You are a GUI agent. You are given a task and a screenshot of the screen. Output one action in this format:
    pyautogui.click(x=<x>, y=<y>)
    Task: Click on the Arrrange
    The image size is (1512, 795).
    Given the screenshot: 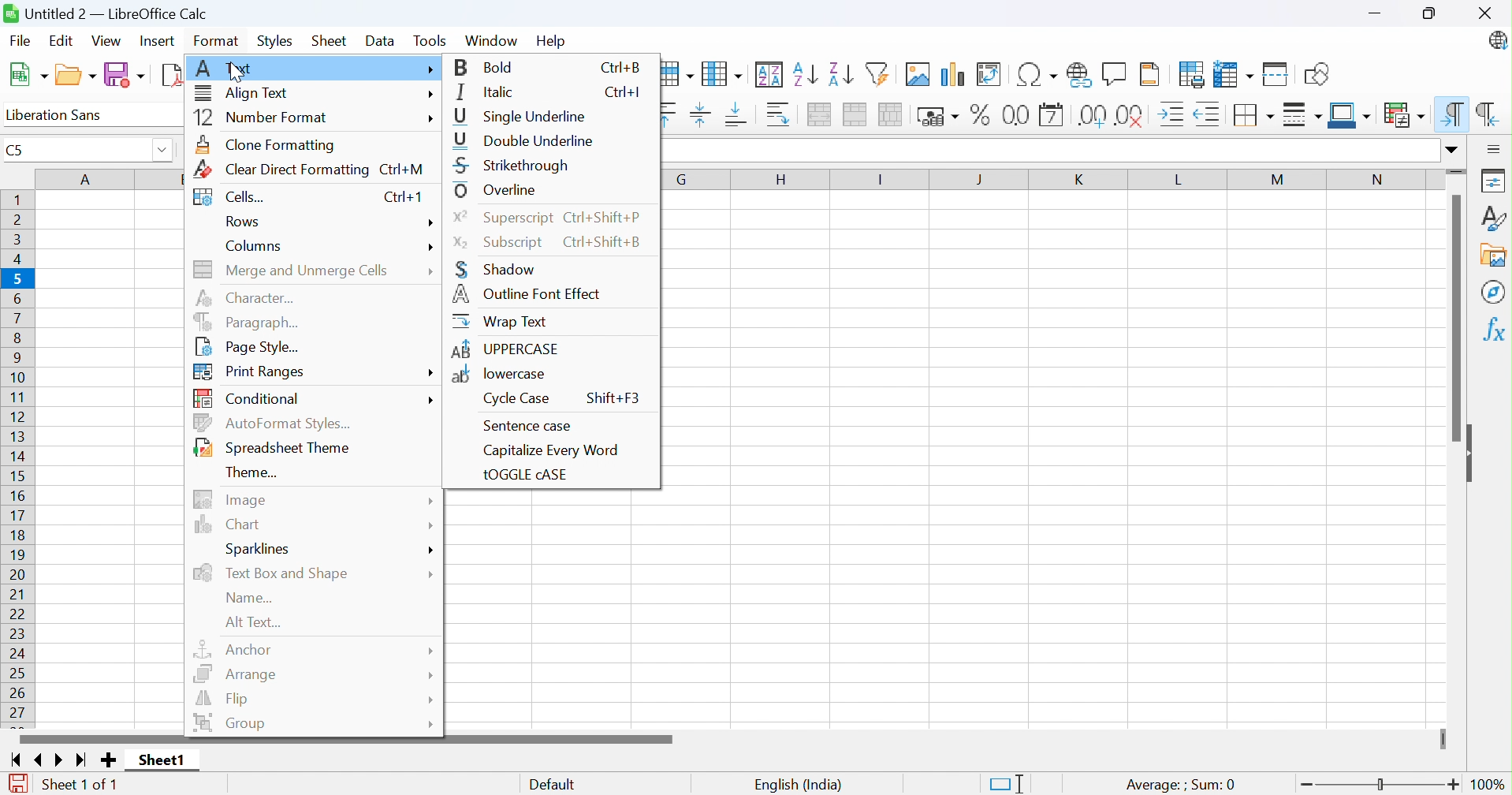 What is the action you would take?
    pyautogui.click(x=238, y=674)
    